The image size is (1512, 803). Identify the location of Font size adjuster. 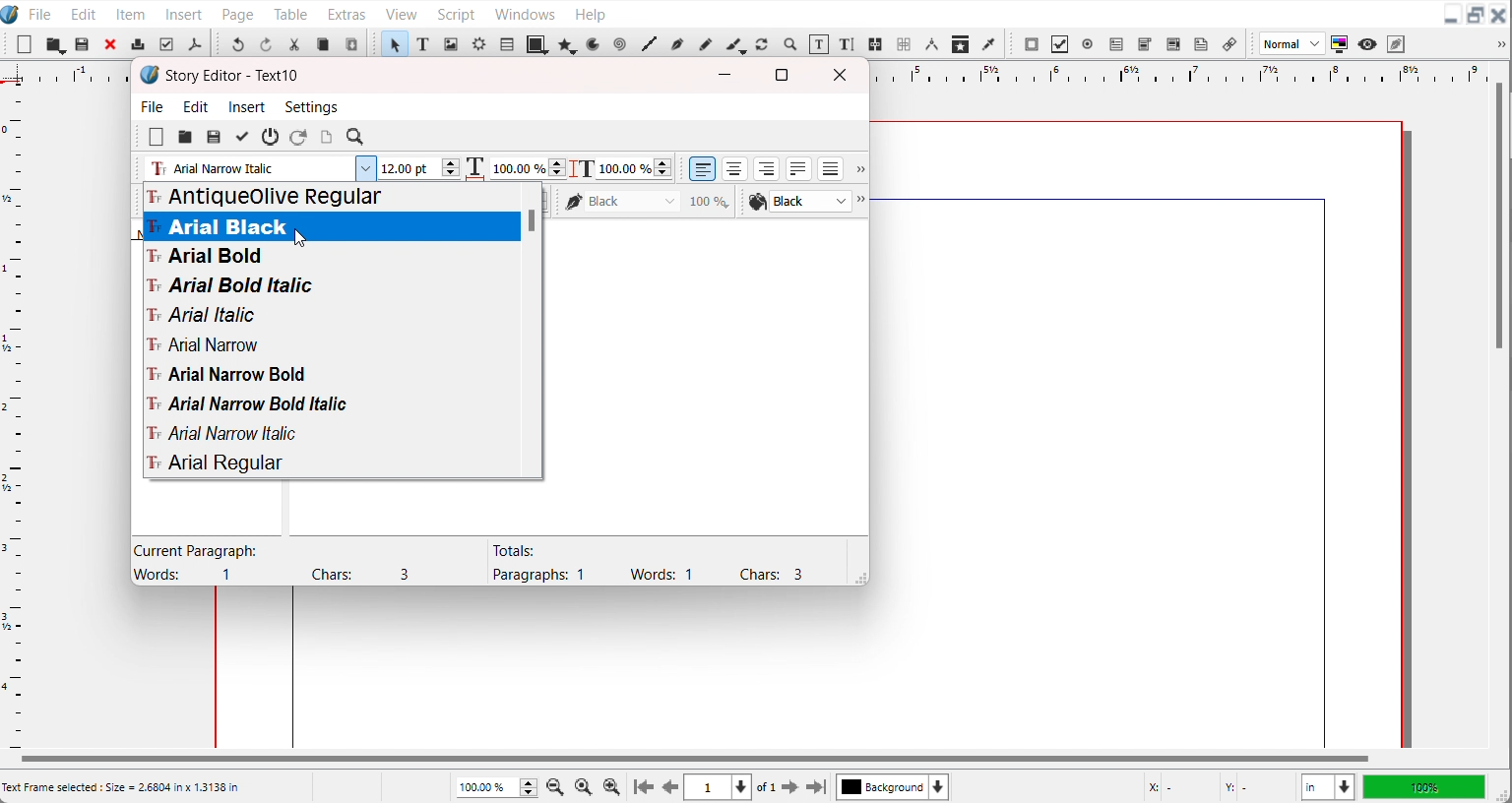
(418, 168).